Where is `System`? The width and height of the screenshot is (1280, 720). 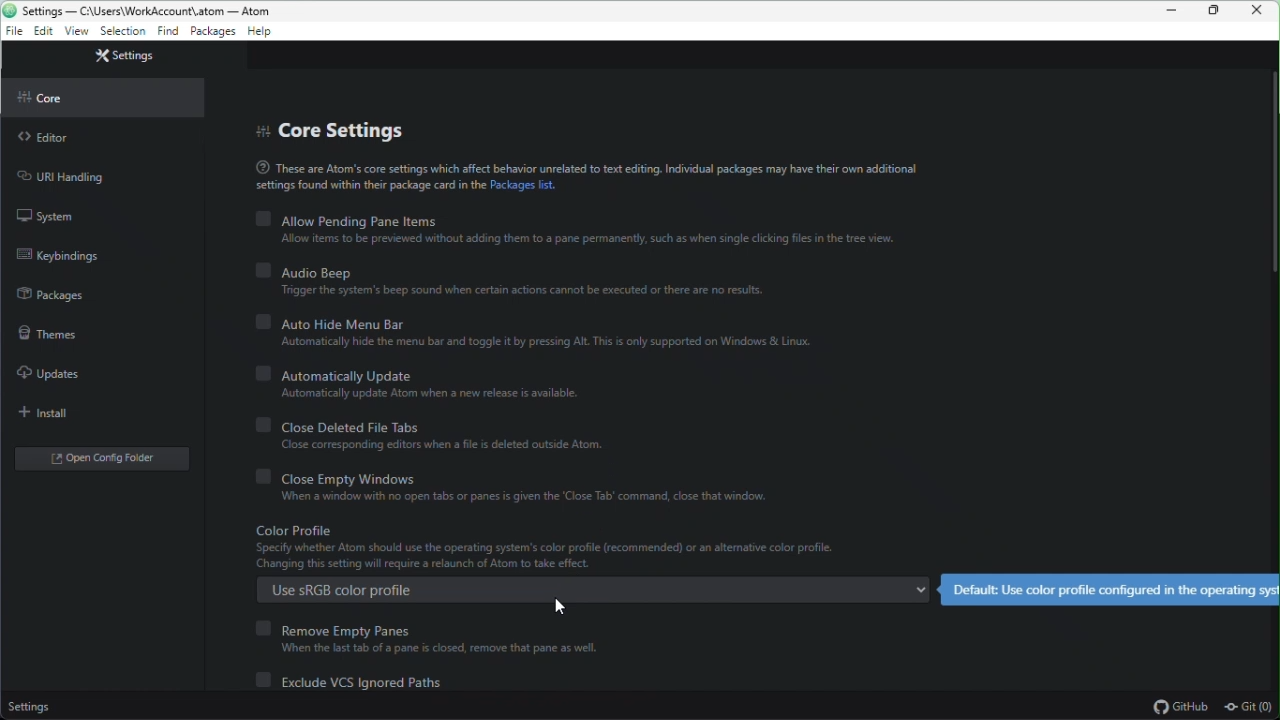 System is located at coordinates (52, 216).